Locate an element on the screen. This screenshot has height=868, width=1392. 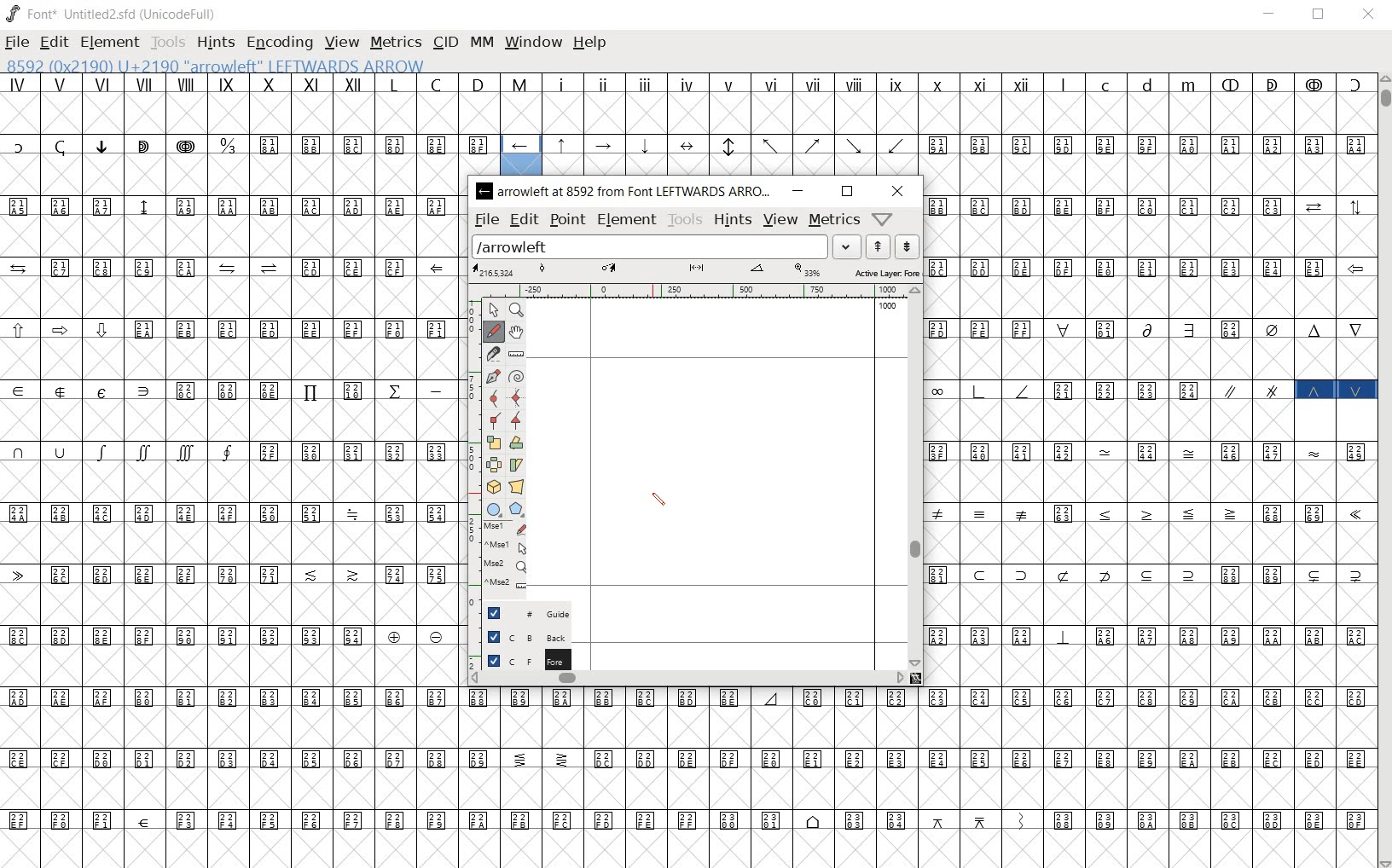
mm is located at coordinates (482, 42).